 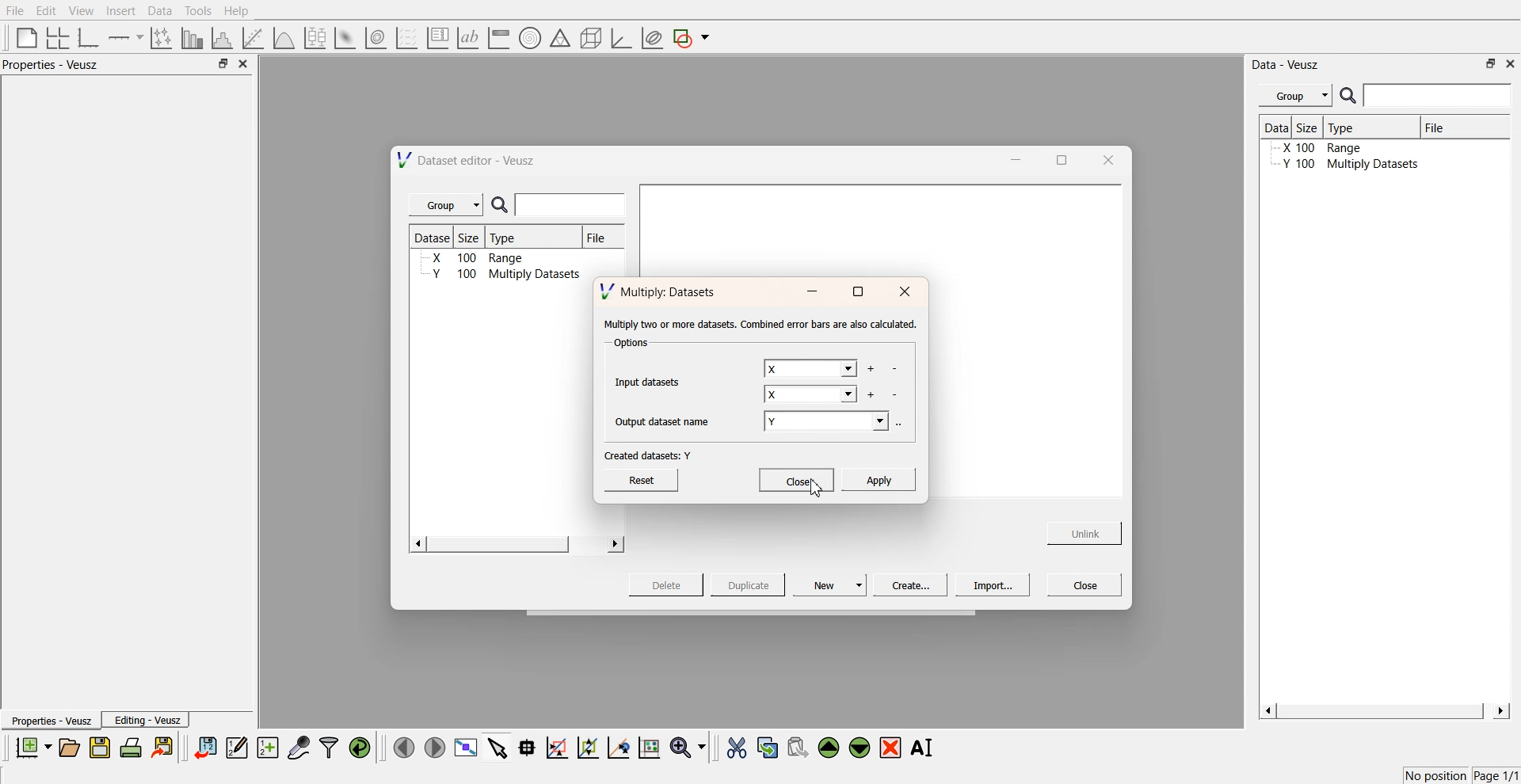 What do you see at coordinates (23, 36) in the screenshot?
I see `blank page` at bounding box center [23, 36].